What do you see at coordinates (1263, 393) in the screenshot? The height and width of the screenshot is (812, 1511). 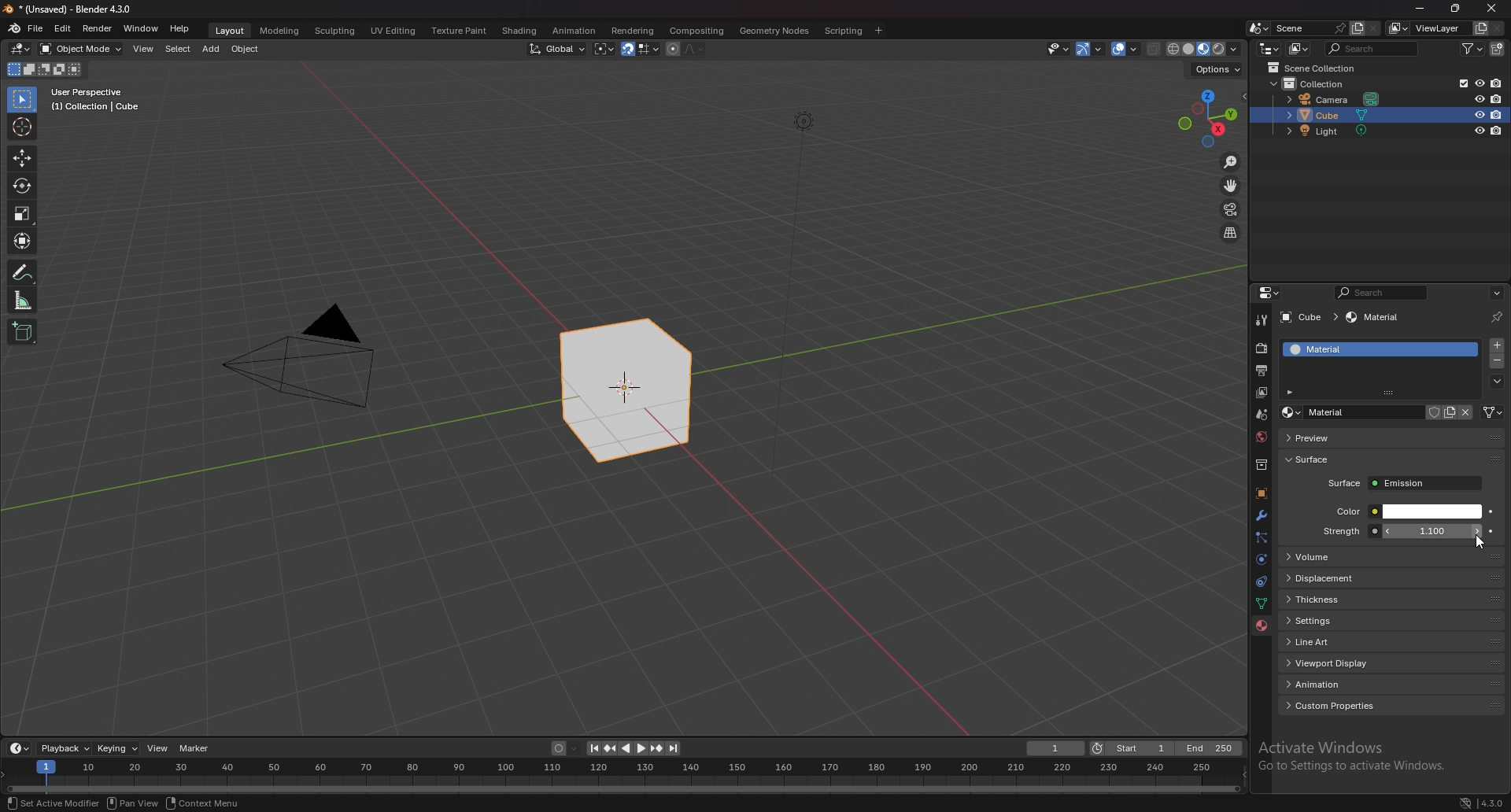 I see `viewlayer` at bounding box center [1263, 393].